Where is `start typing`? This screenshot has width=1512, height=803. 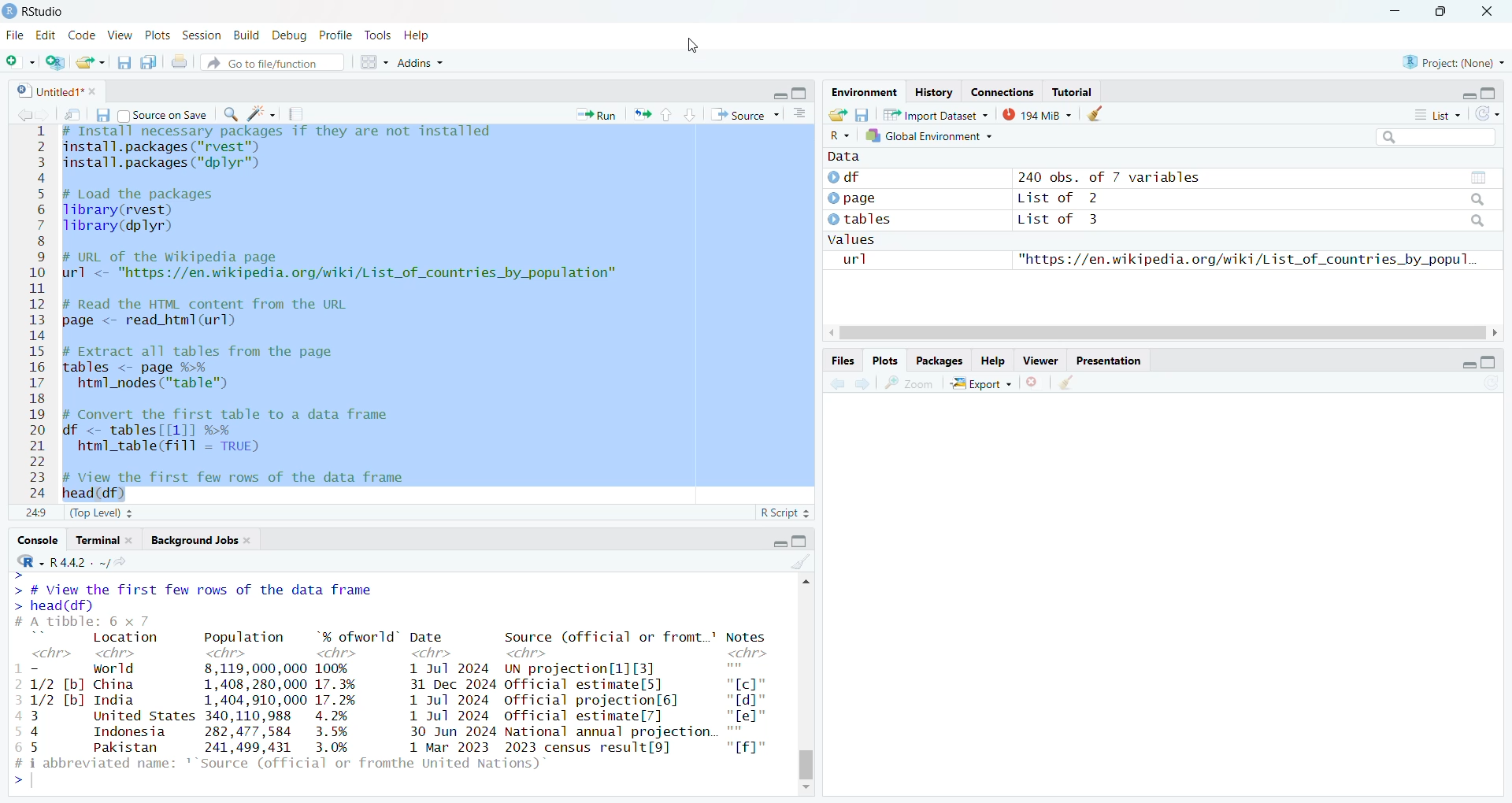
start typing is located at coordinates (21, 783).